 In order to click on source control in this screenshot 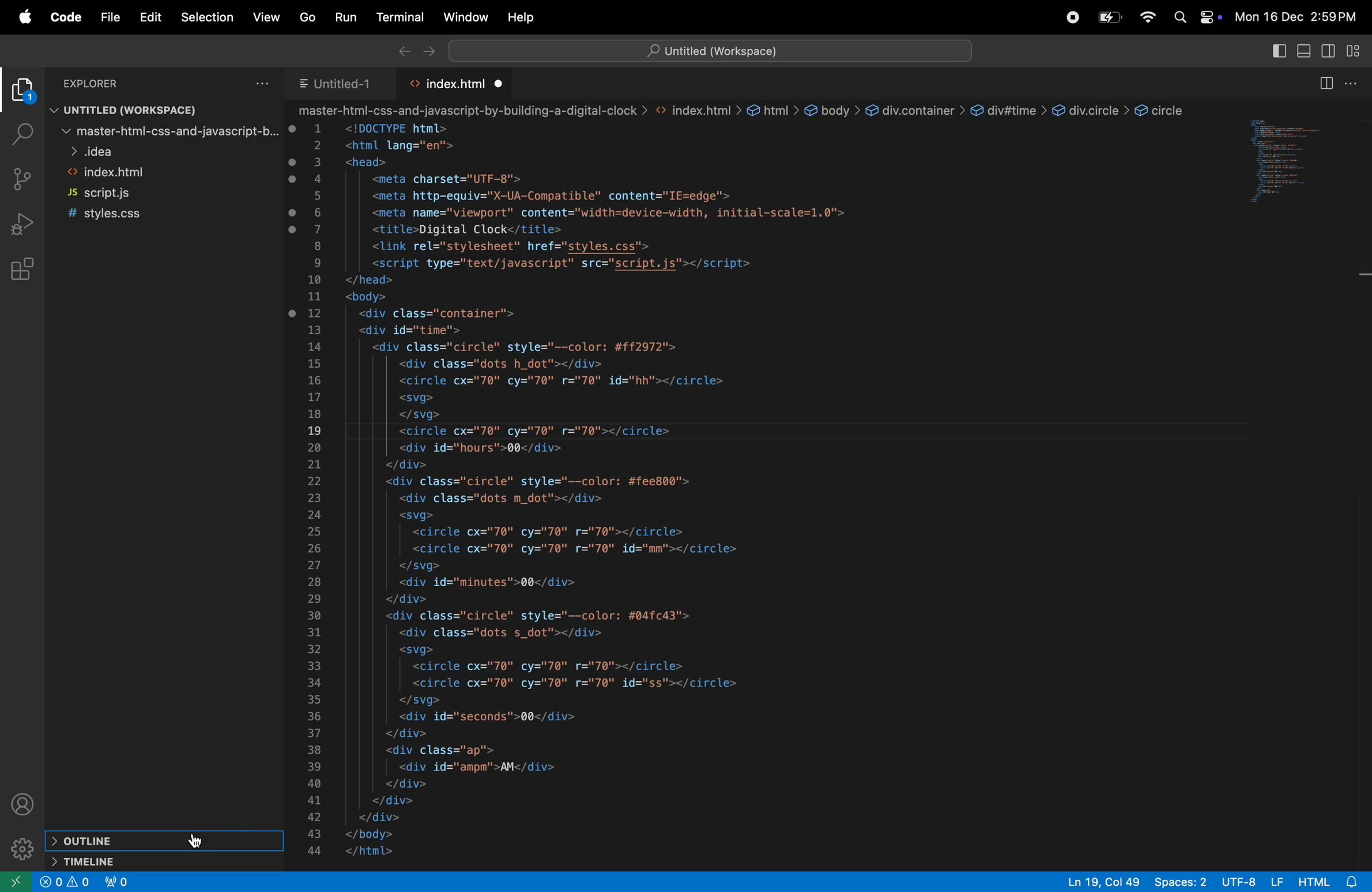, I will do `click(22, 177)`.